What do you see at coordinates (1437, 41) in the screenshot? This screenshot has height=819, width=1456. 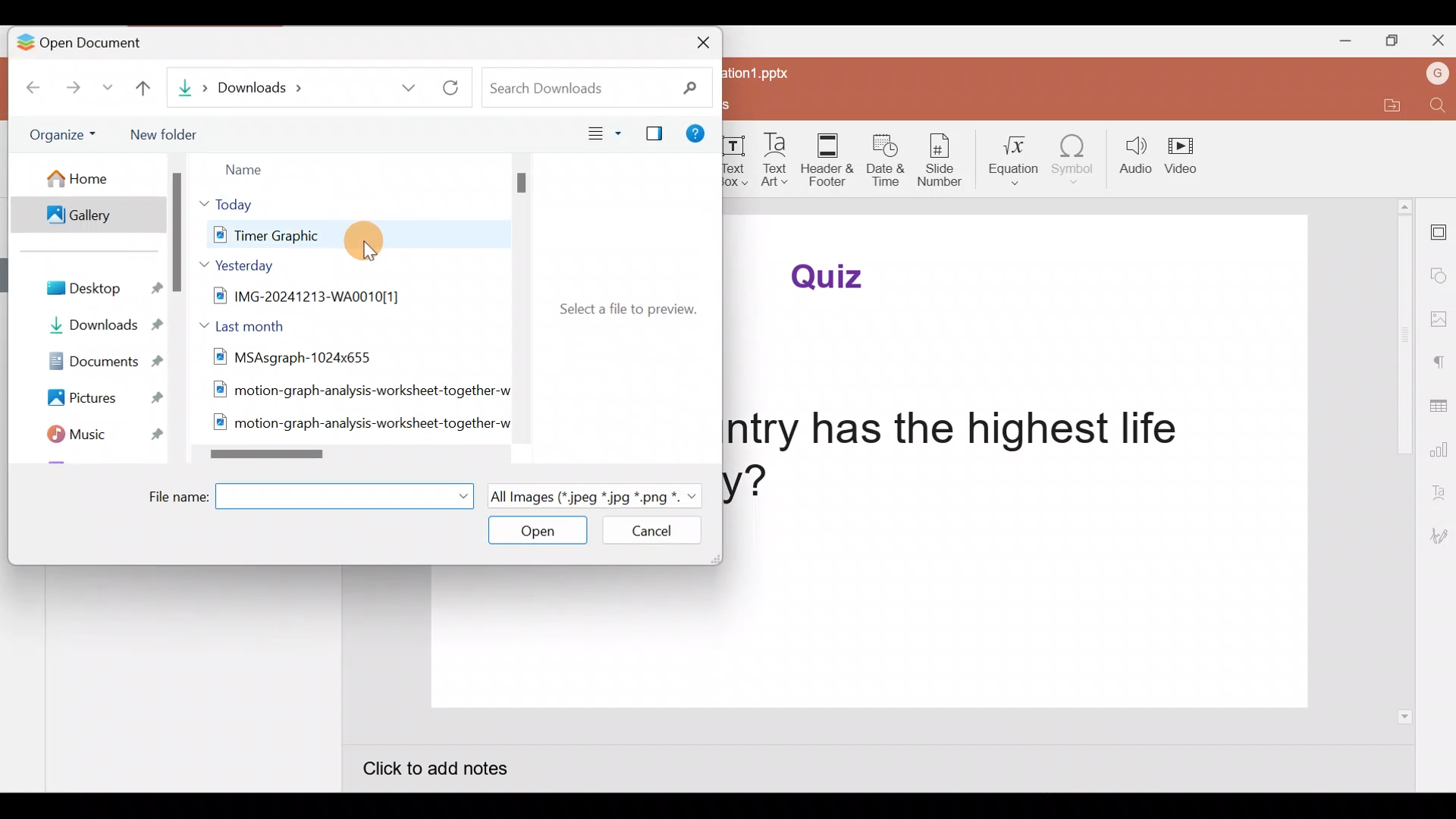 I see `Close` at bounding box center [1437, 41].